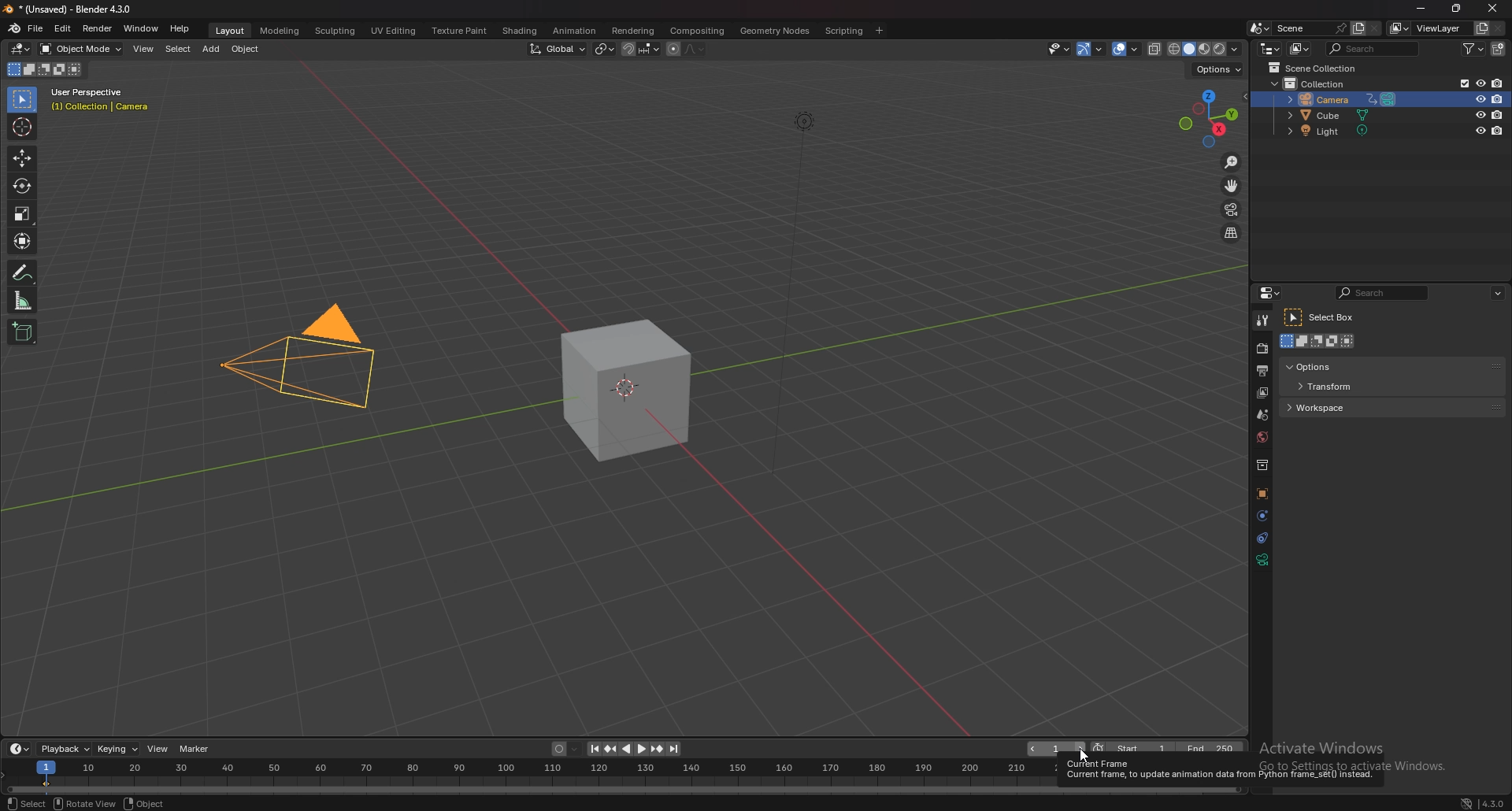 The image size is (1512, 811). What do you see at coordinates (1315, 67) in the screenshot?
I see `scene collection` at bounding box center [1315, 67].